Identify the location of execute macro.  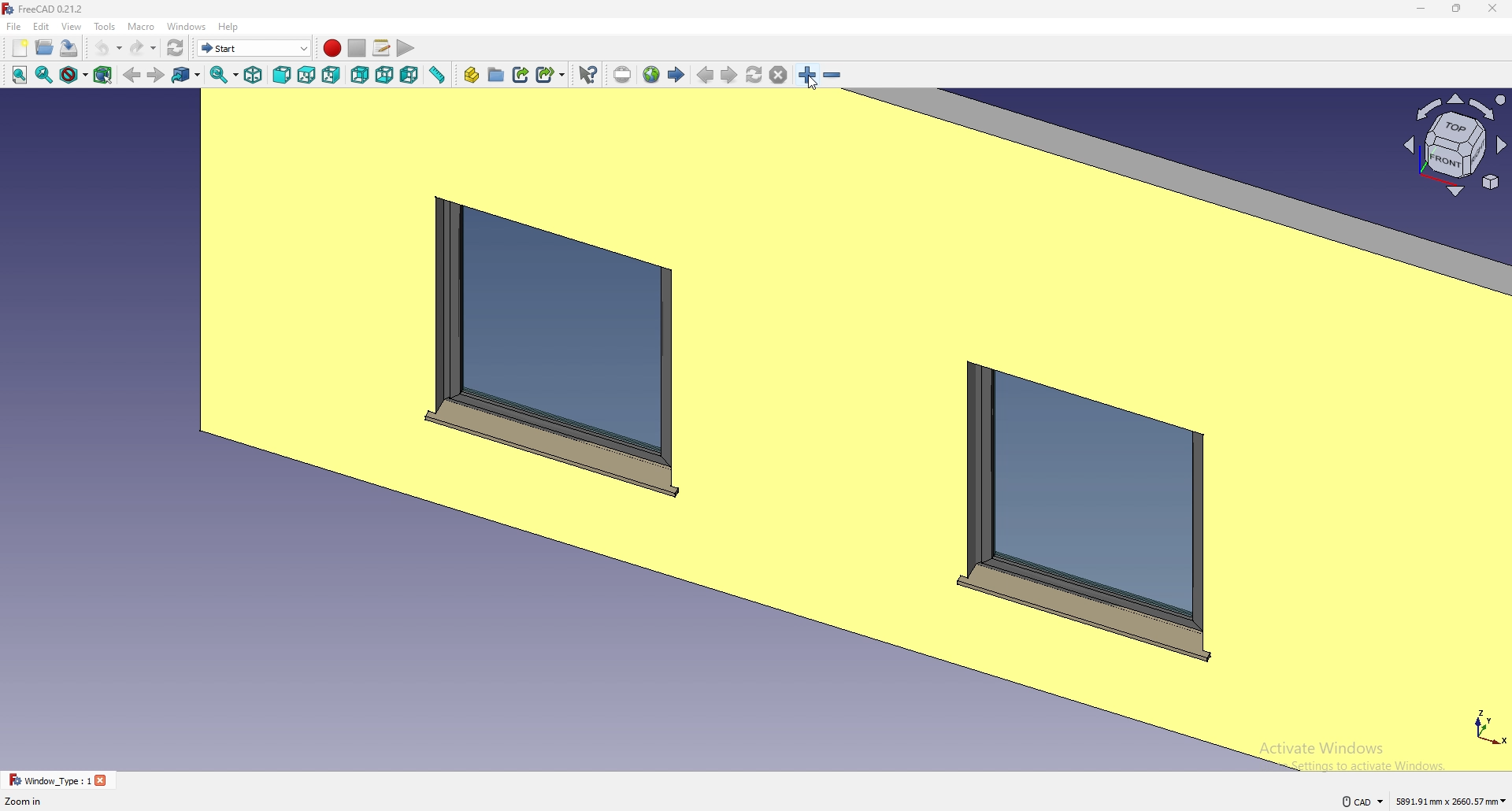
(407, 49).